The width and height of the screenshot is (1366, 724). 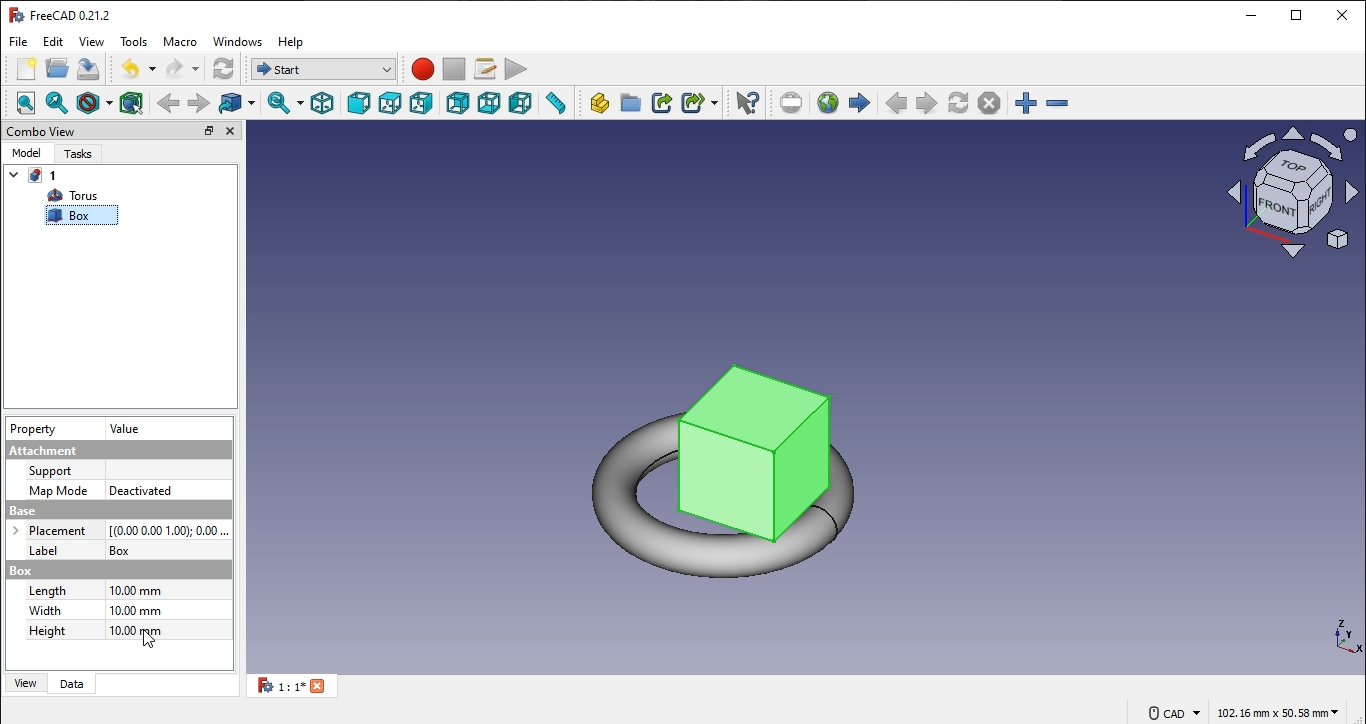 What do you see at coordinates (57, 67) in the screenshot?
I see `open file` at bounding box center [57, 67].